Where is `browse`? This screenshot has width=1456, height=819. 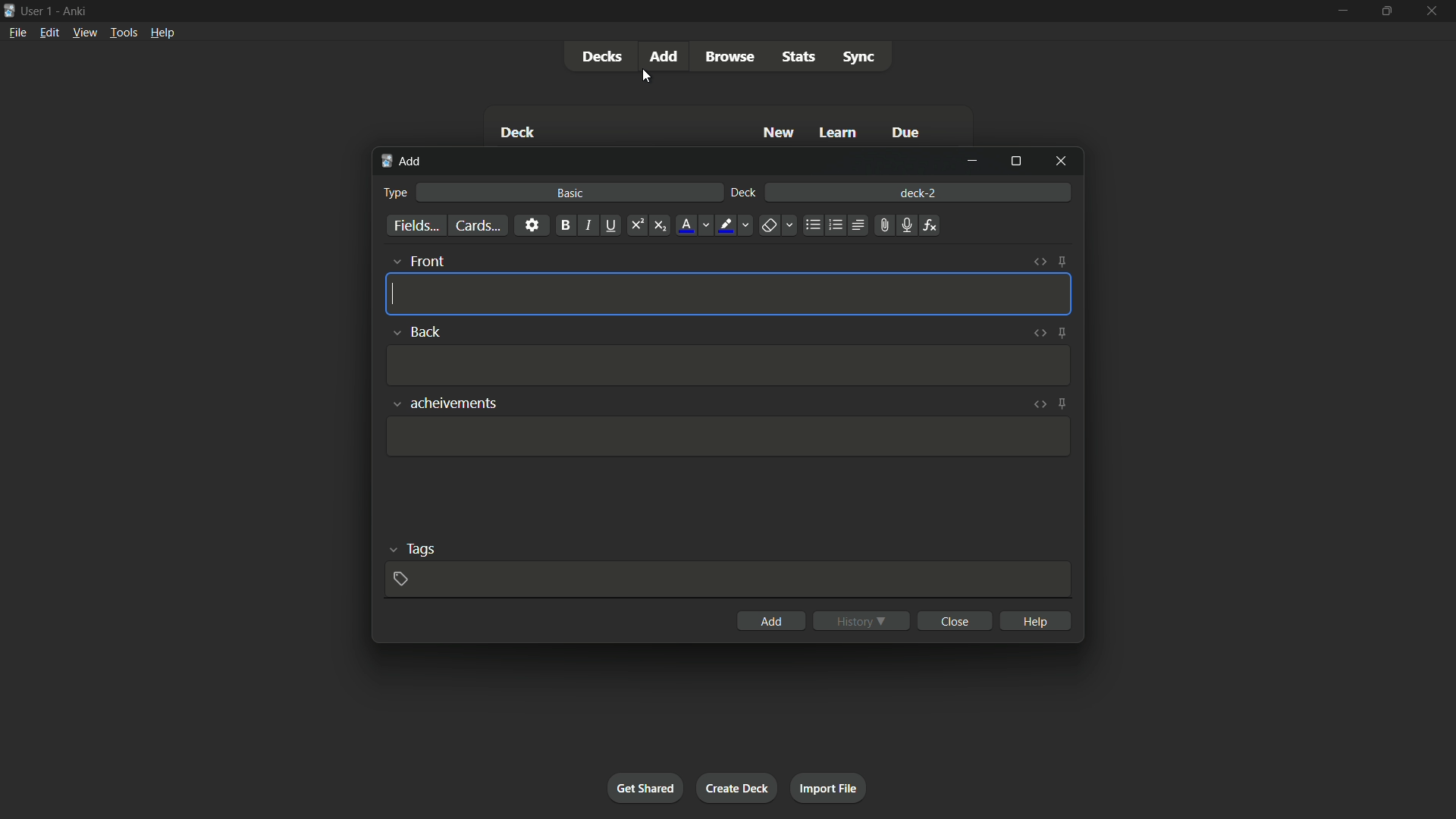
browse is located at coordinates (727, 57).